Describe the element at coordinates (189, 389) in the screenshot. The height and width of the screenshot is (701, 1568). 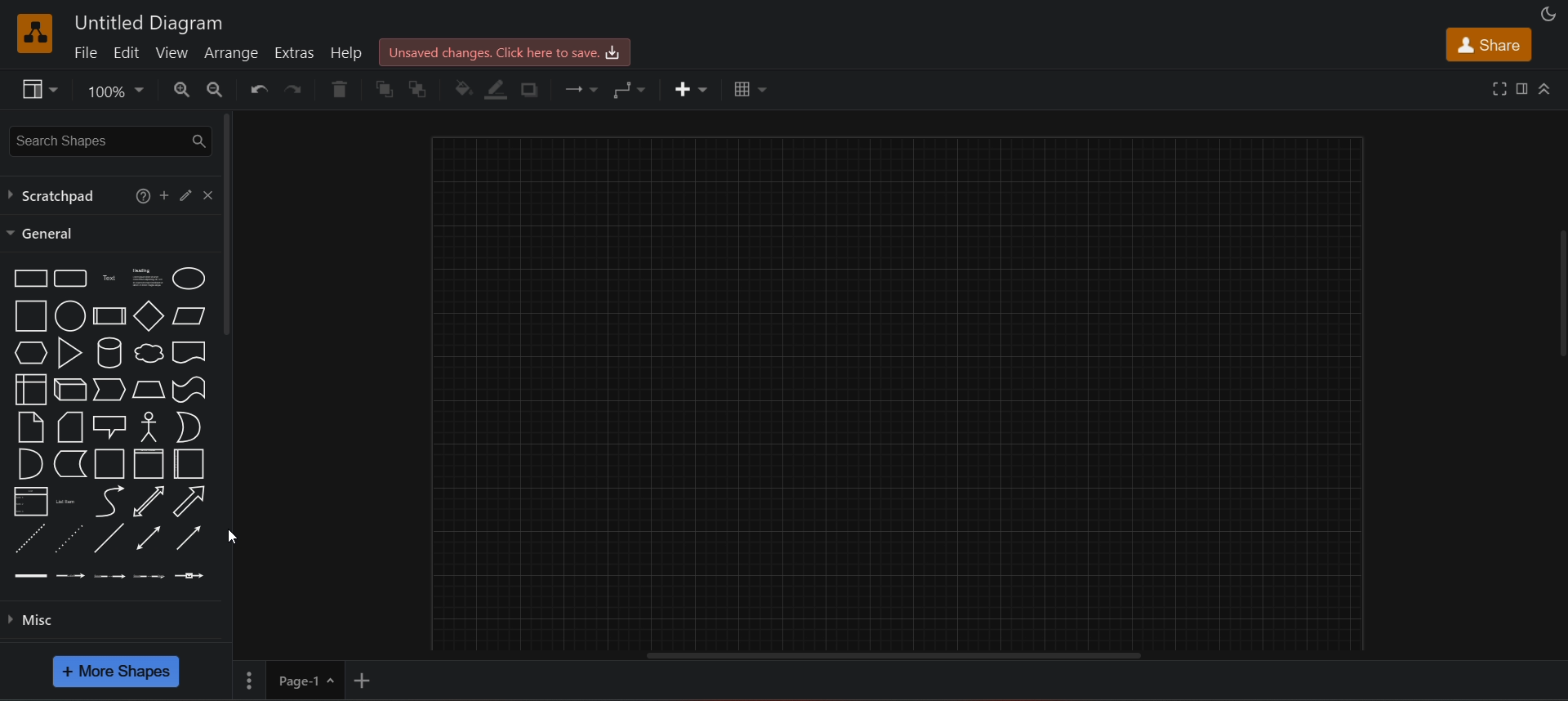
I see `tape` at that location.